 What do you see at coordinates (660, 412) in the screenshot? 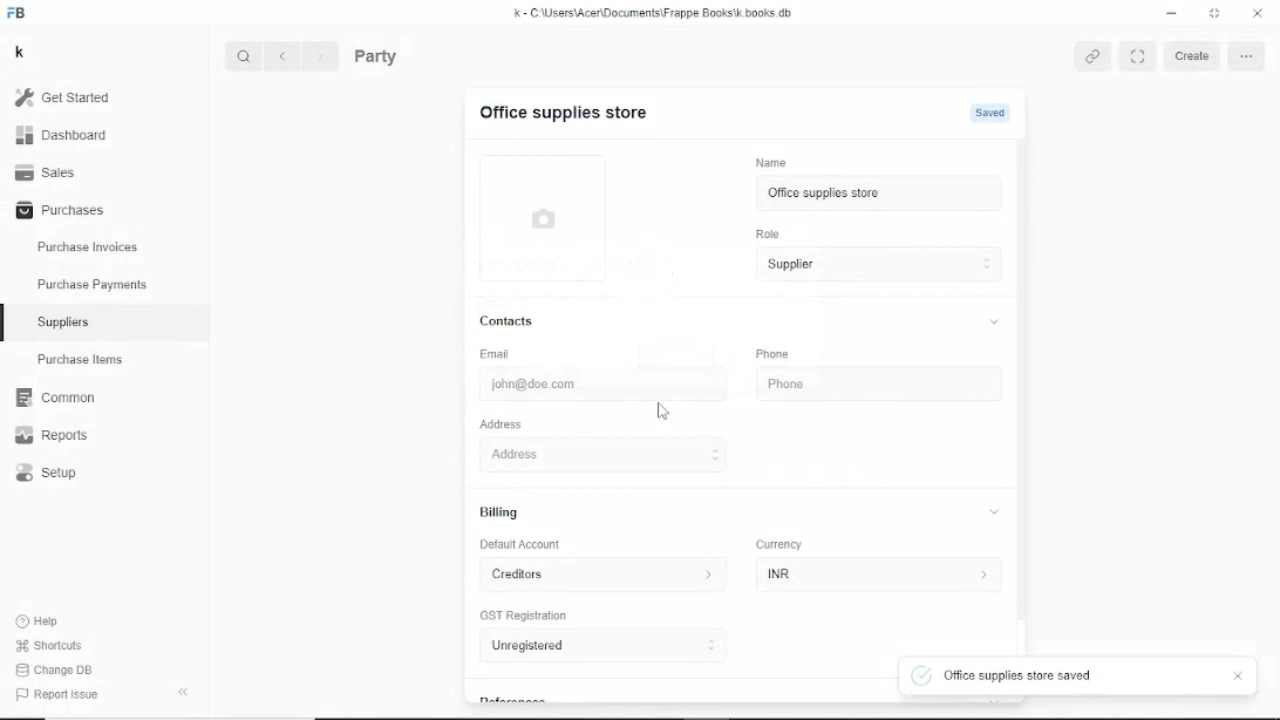
I see `Cursor` at bounding box center [660, 412].